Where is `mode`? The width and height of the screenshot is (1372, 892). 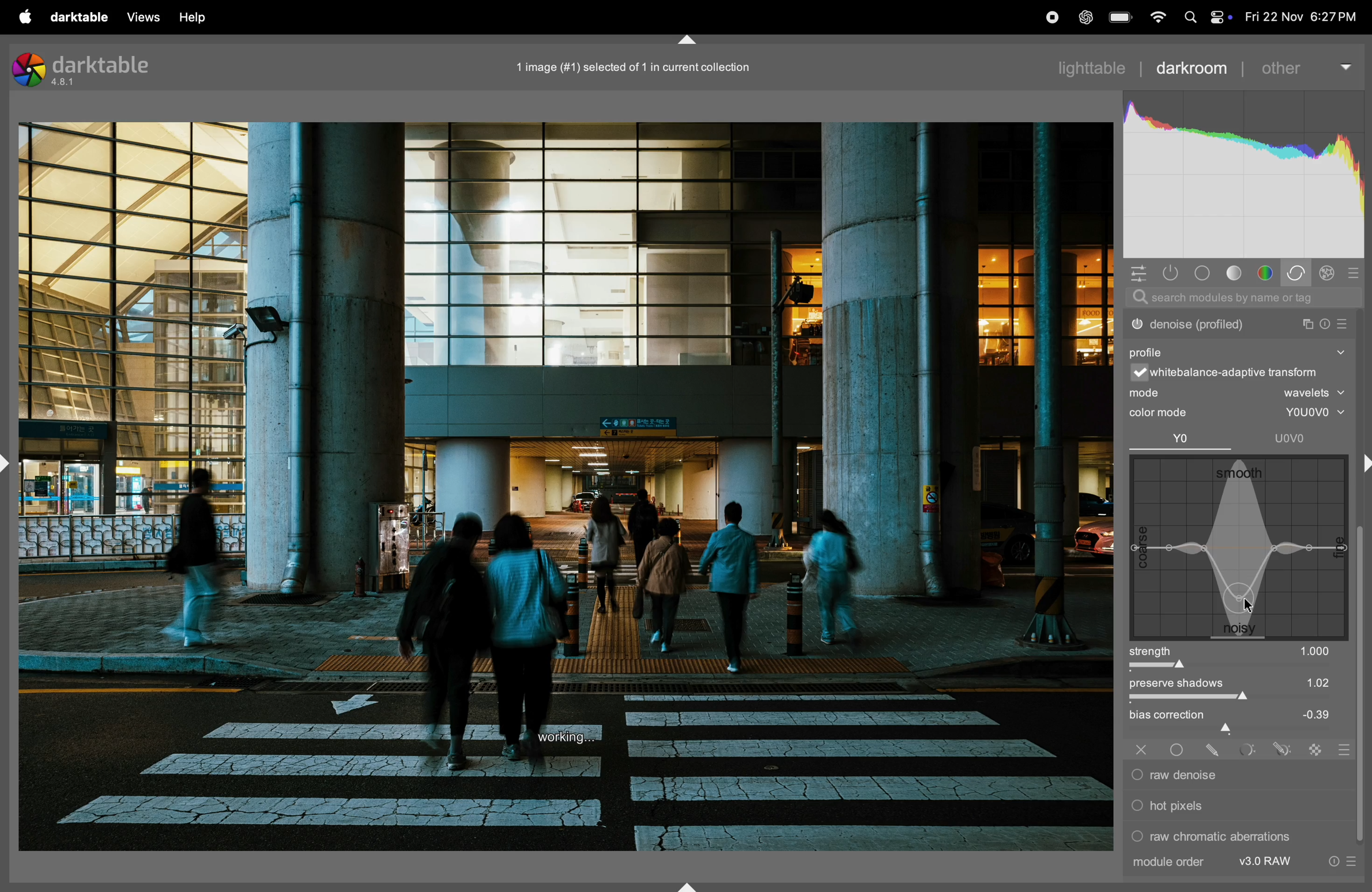
mode is located at coordinates (1148, 393).